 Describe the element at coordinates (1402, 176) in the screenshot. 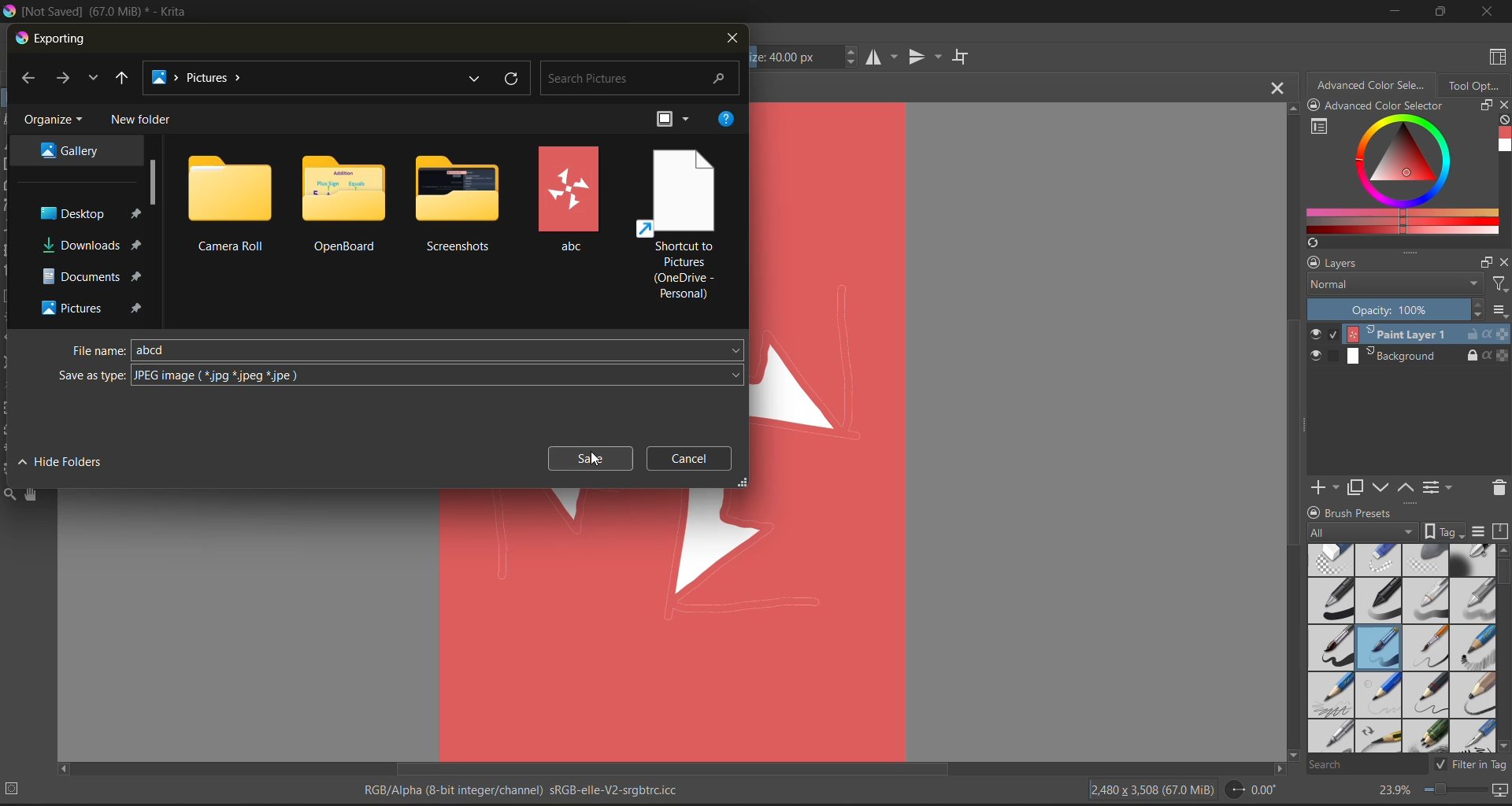

I see `advanced color selector` at that location.